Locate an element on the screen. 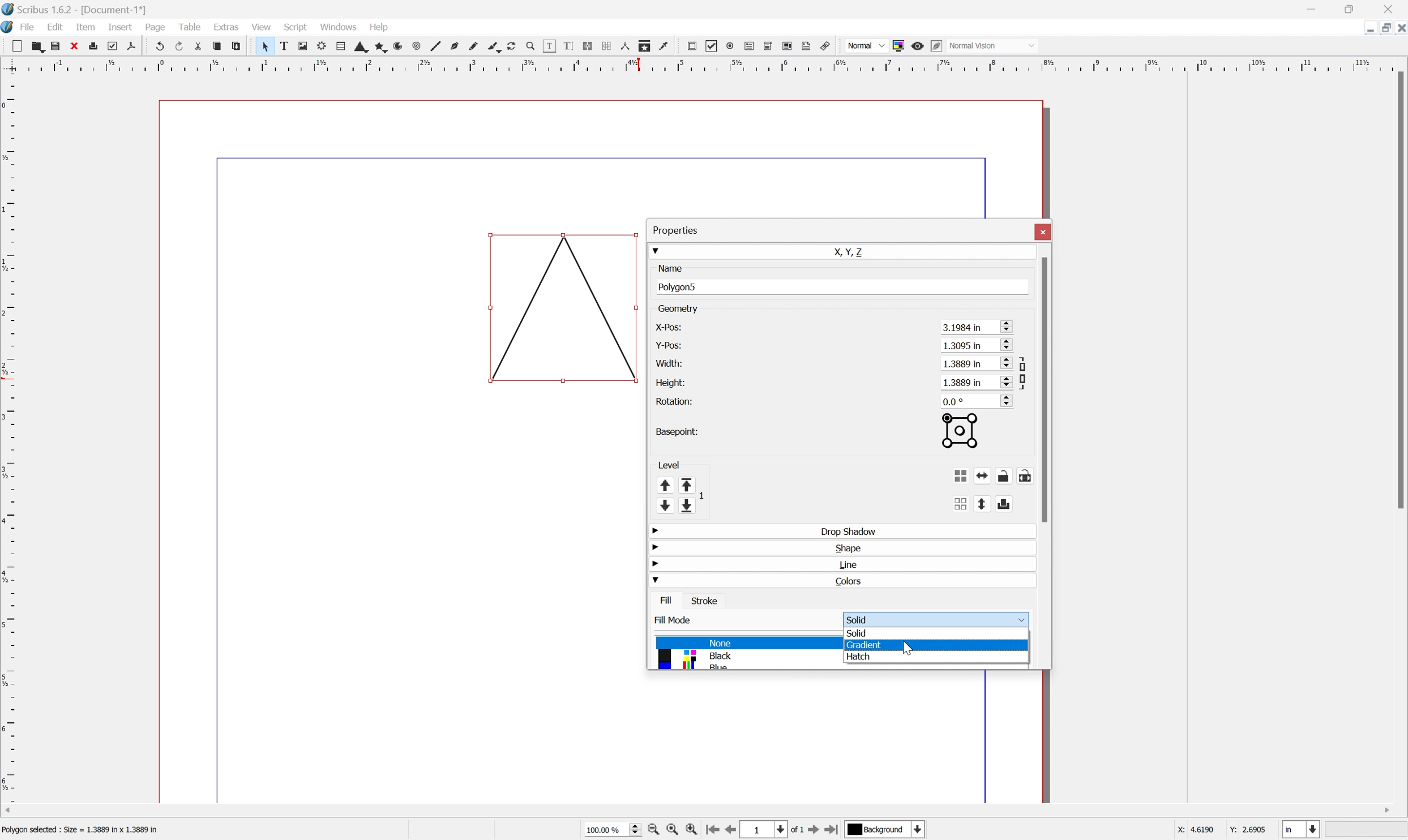 The height and width of the screenshot is (840, 1408). Go to previous page is located at coordinates (728, 832).